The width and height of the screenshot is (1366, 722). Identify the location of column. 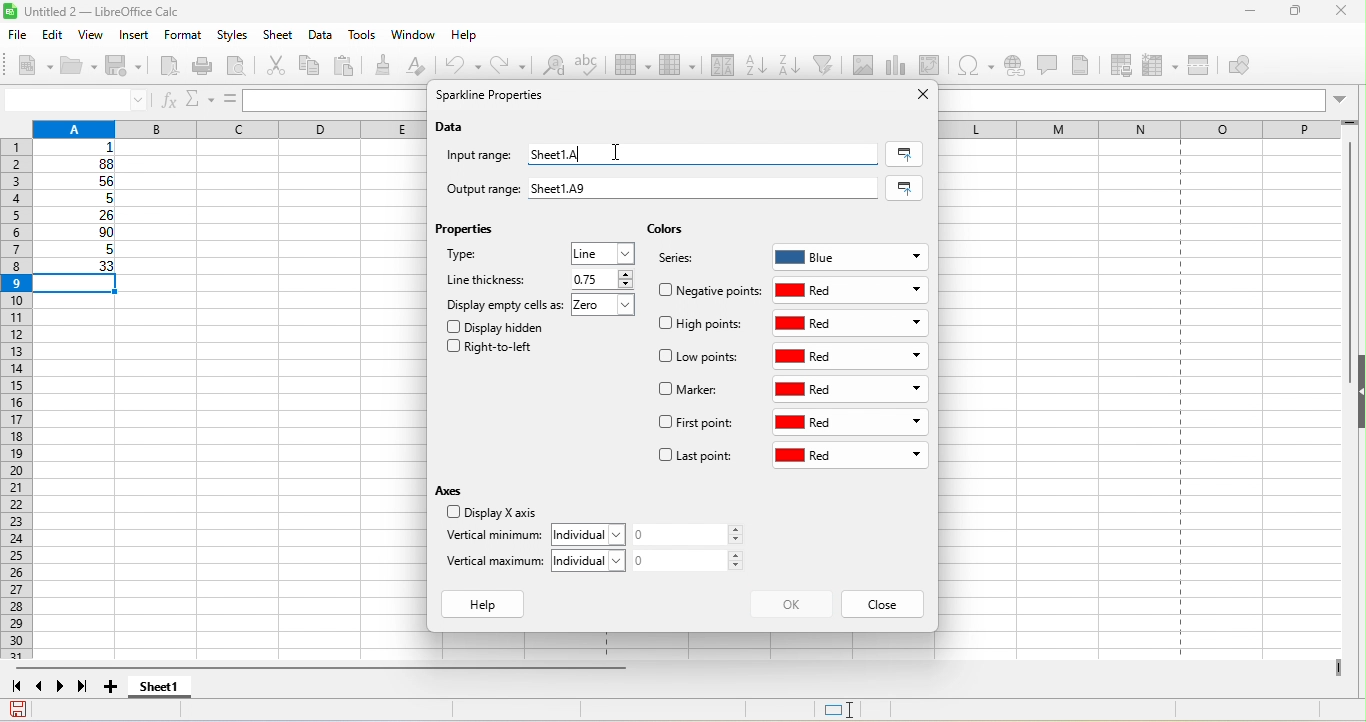
(225, 127).